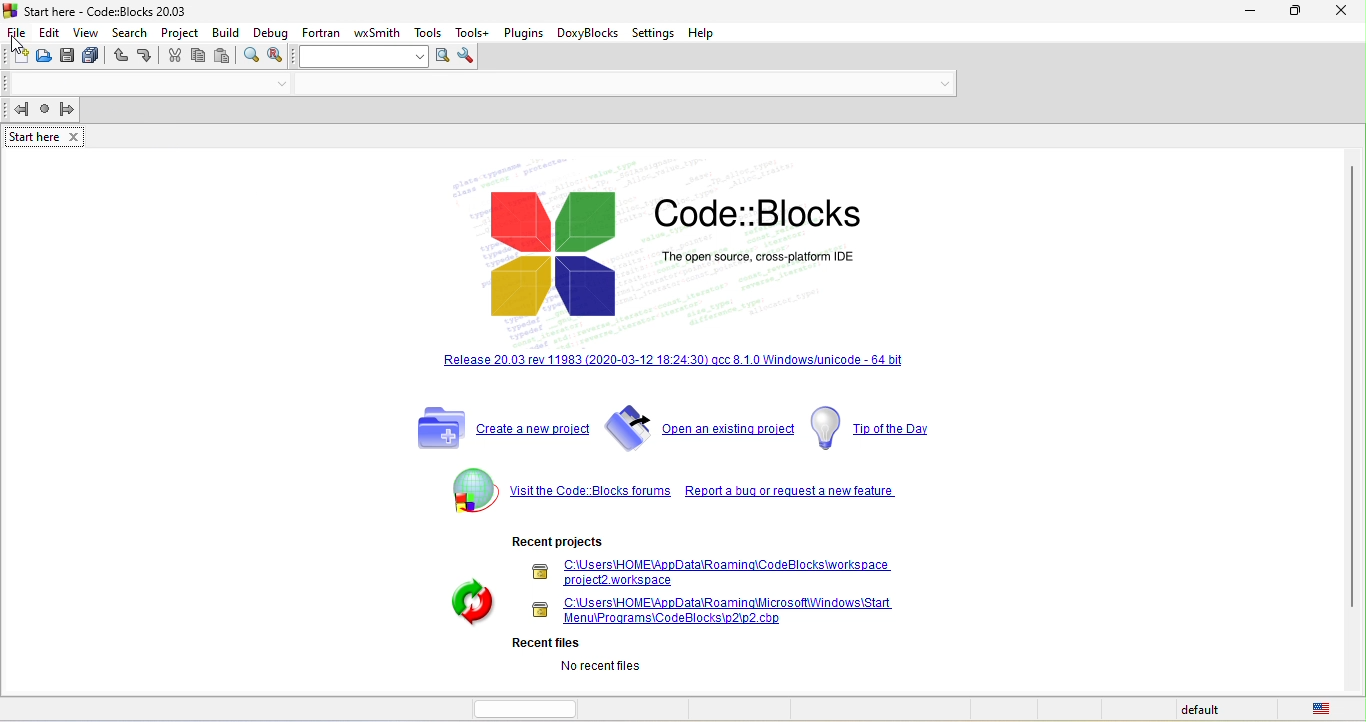 This screenshot has height=722, width=1366. What do you see at coordinates (199, 56) in the screenshot?
I see `copy` at bounding box center [199, 56].